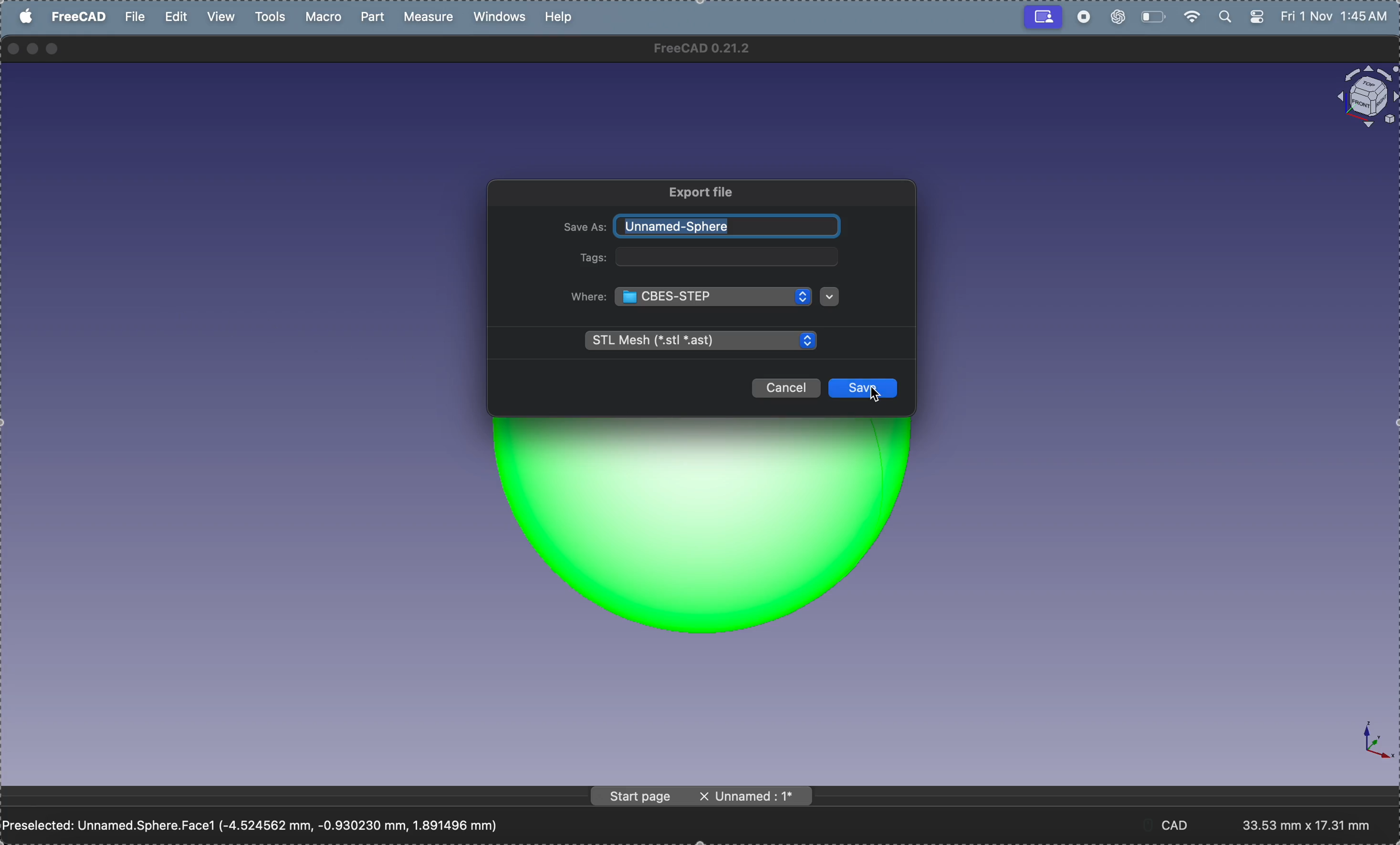 The height and width of the screenshot is (845, 1400). What do you see at coordinates (1315, 825) in the screenshot?
I see `aspect ratio- 33:53mm x 17.31mm` at bounding box center [1315, 825].